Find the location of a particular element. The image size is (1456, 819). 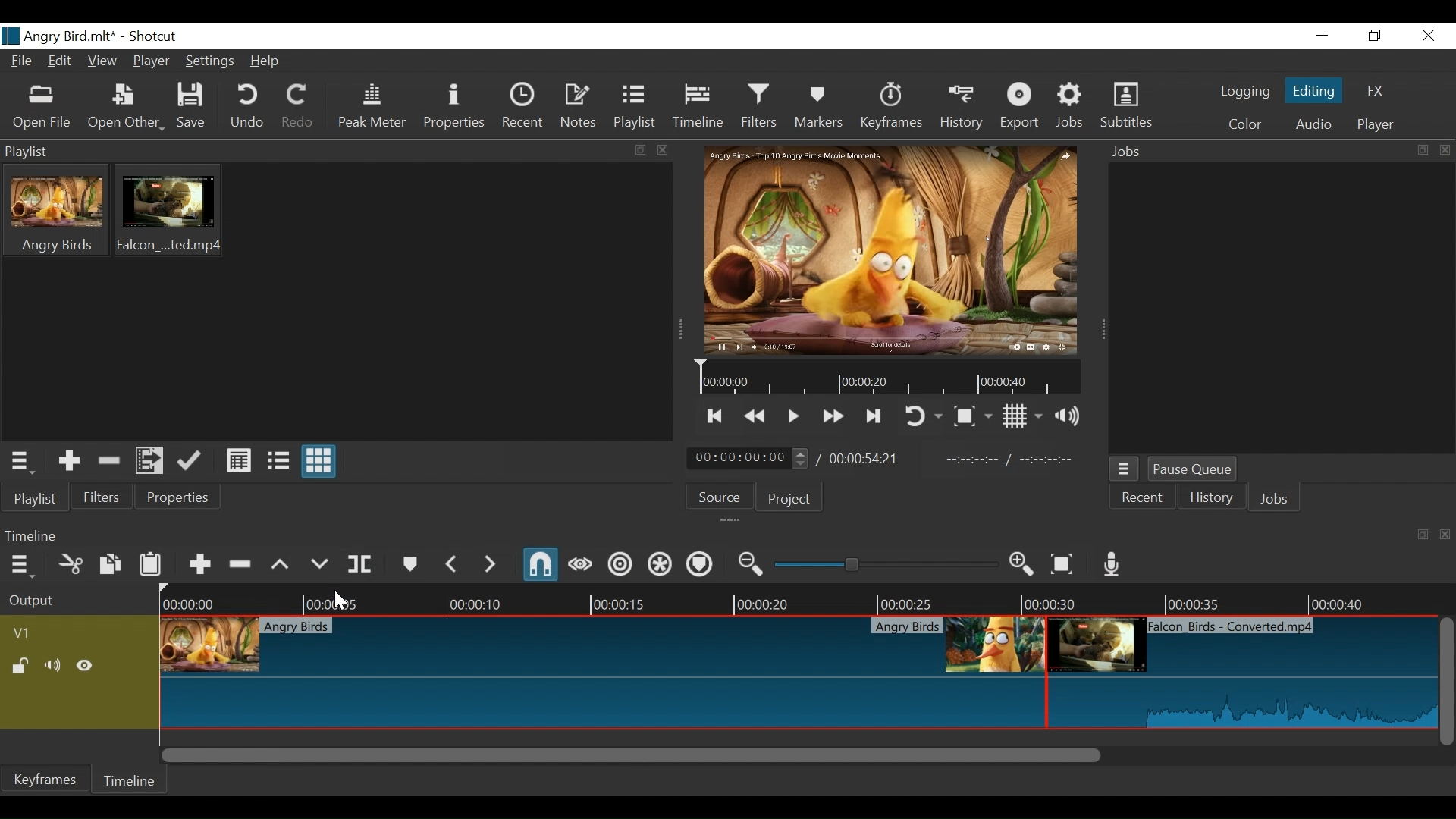

Total Duration is located at coordinates (864, 459).